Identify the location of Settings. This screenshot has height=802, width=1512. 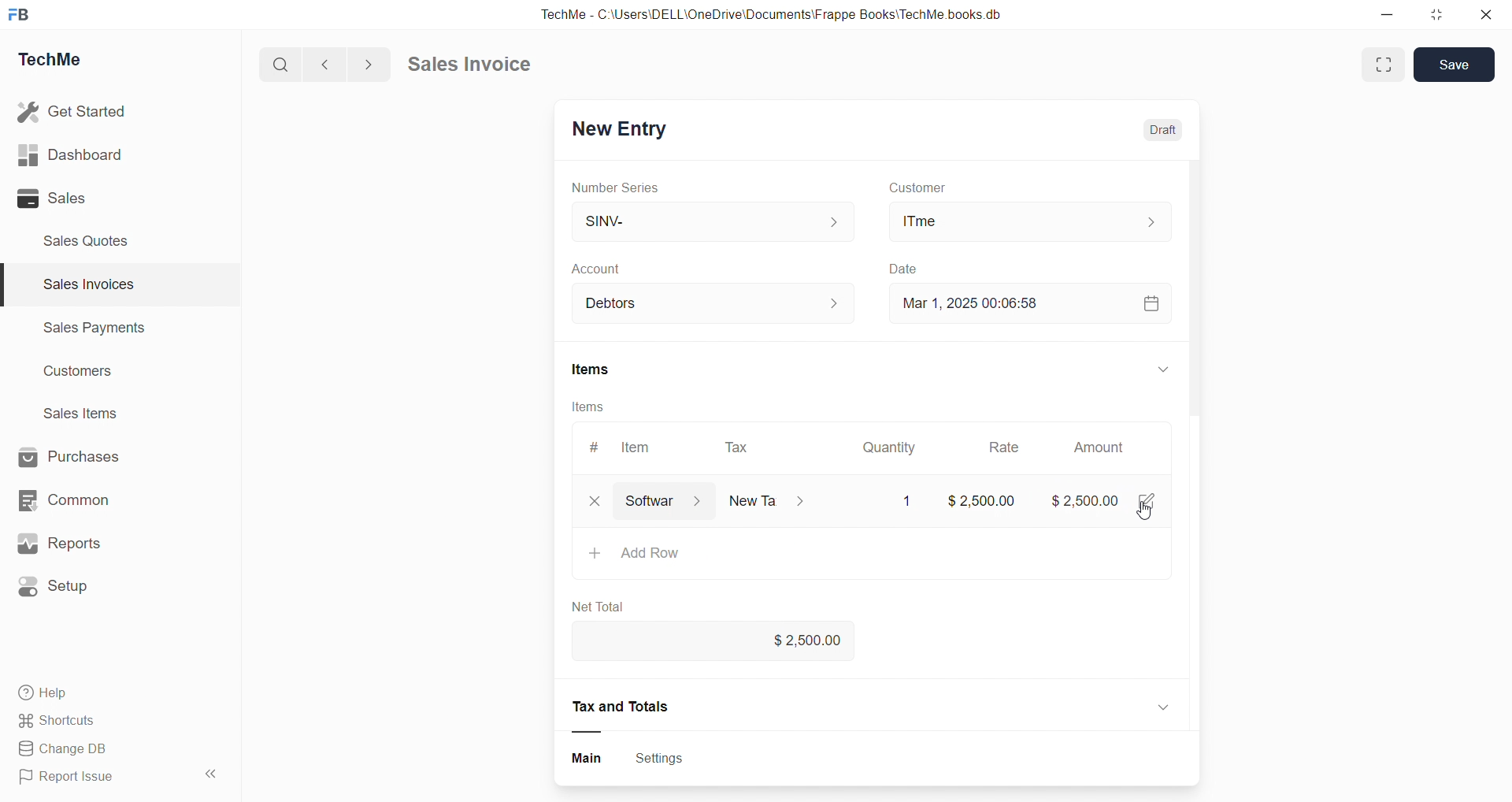
(669, 759).